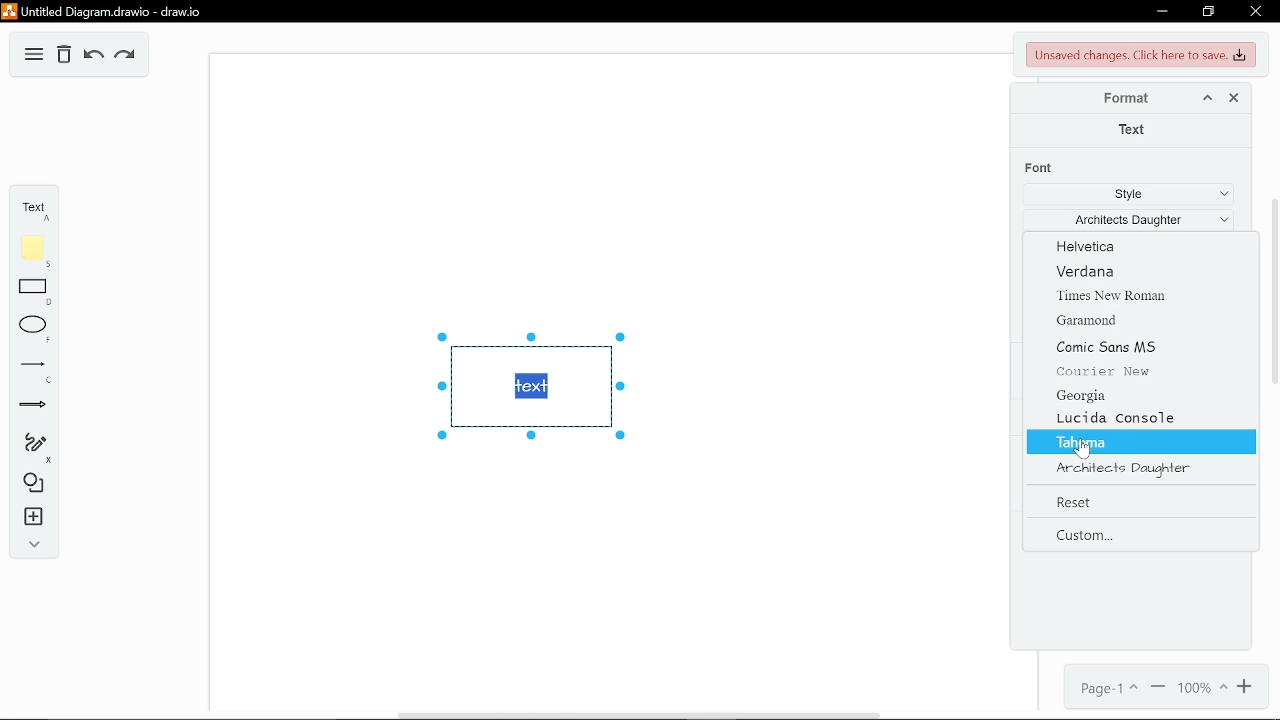 This screenshot has height=720, width=1280. I want to click on text, so click(32, 207).